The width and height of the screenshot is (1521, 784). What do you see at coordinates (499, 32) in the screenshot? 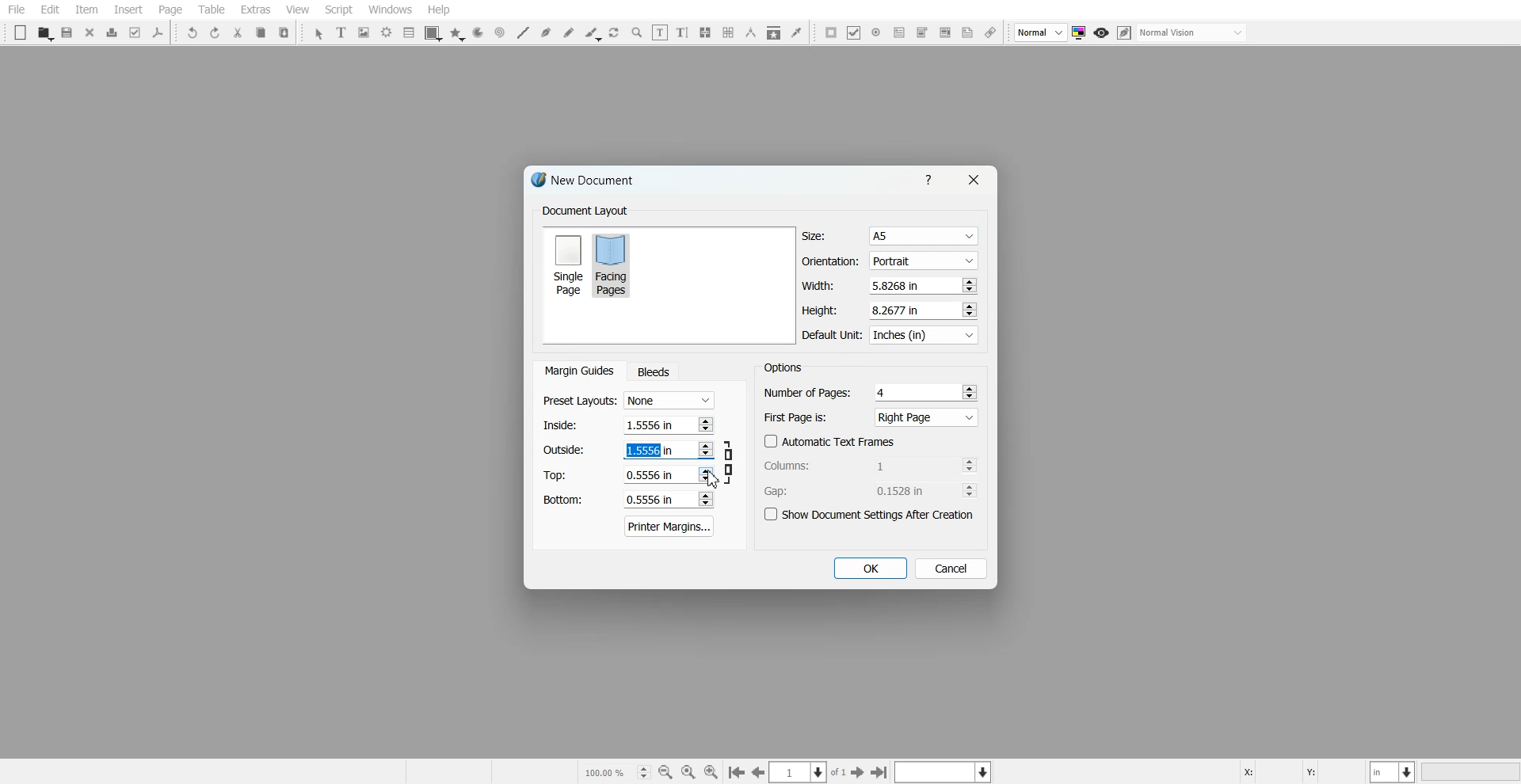
I see `Spiral` at bounding box center [499, 32].